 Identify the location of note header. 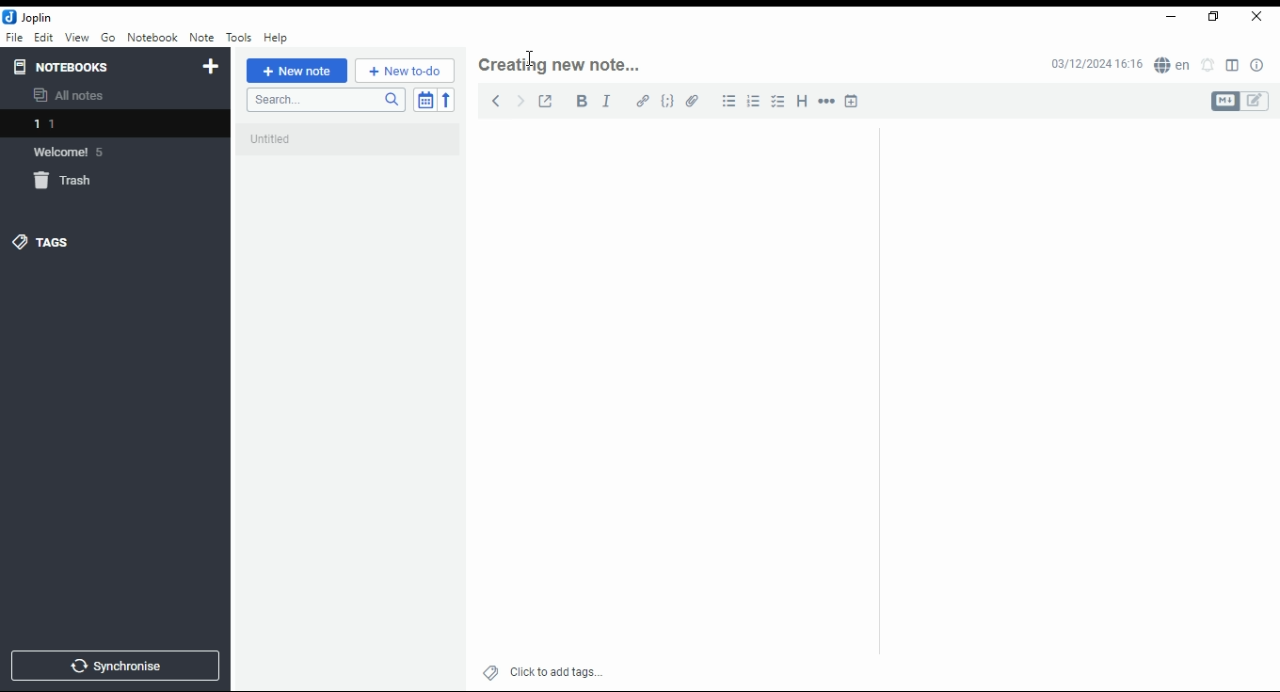
(563, 65).